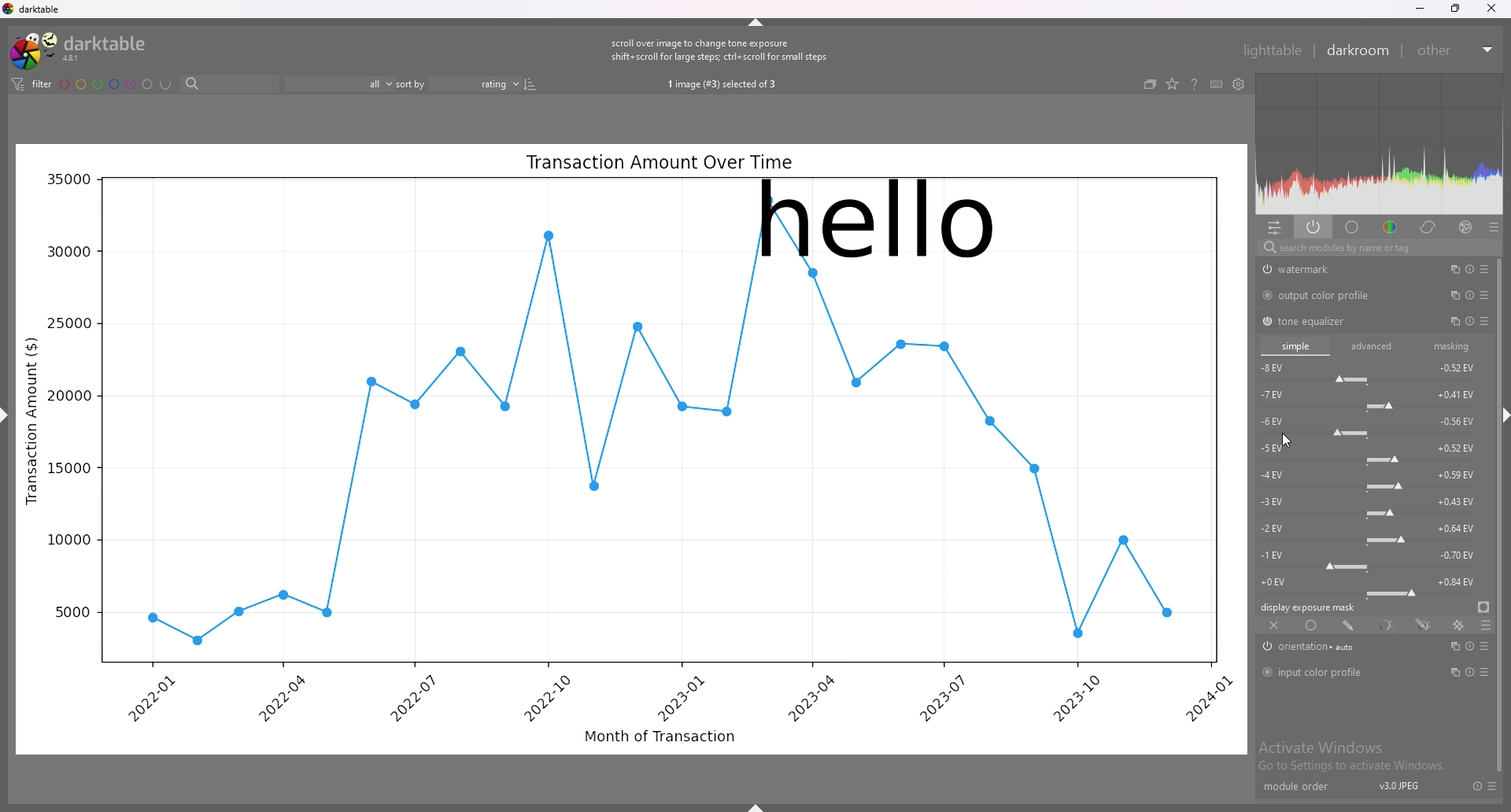  Describe the element at coordinates (811, 697) in the screenshot. I see `2023-04` at that location.